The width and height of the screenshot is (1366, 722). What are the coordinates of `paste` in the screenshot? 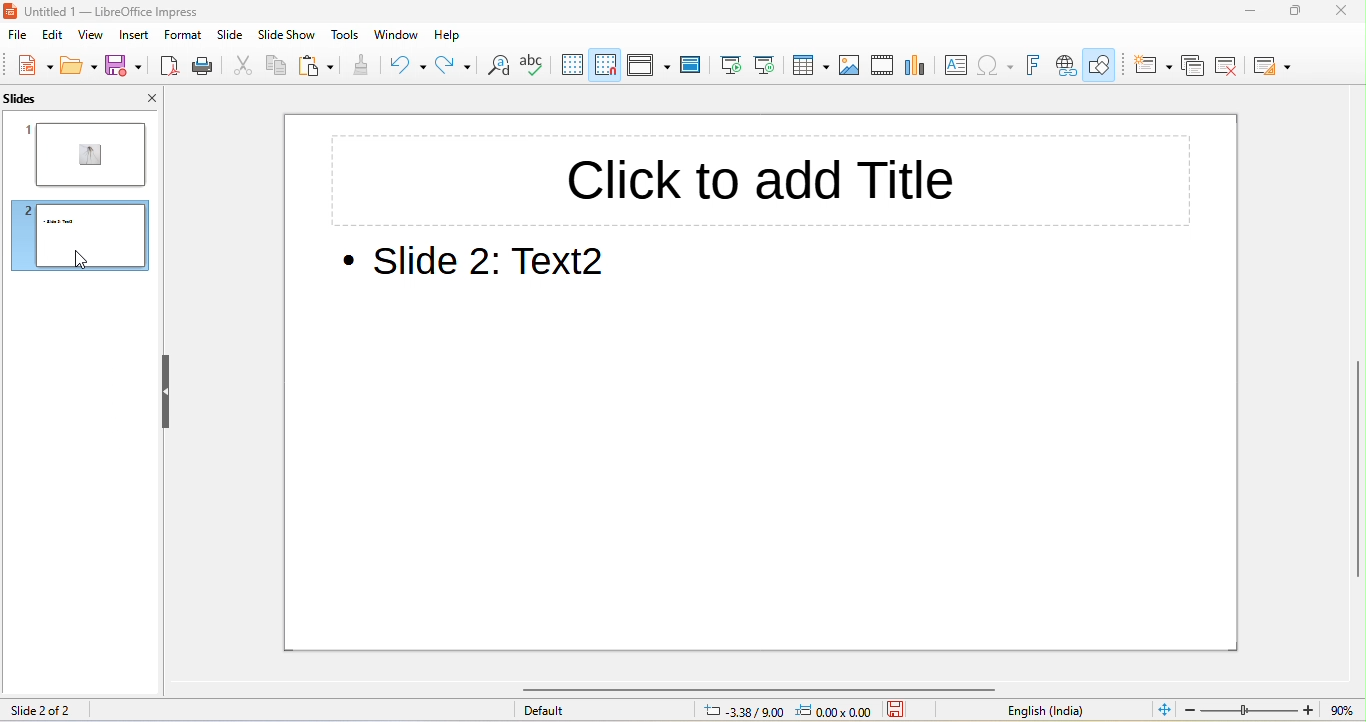 It's located at (320, 66).